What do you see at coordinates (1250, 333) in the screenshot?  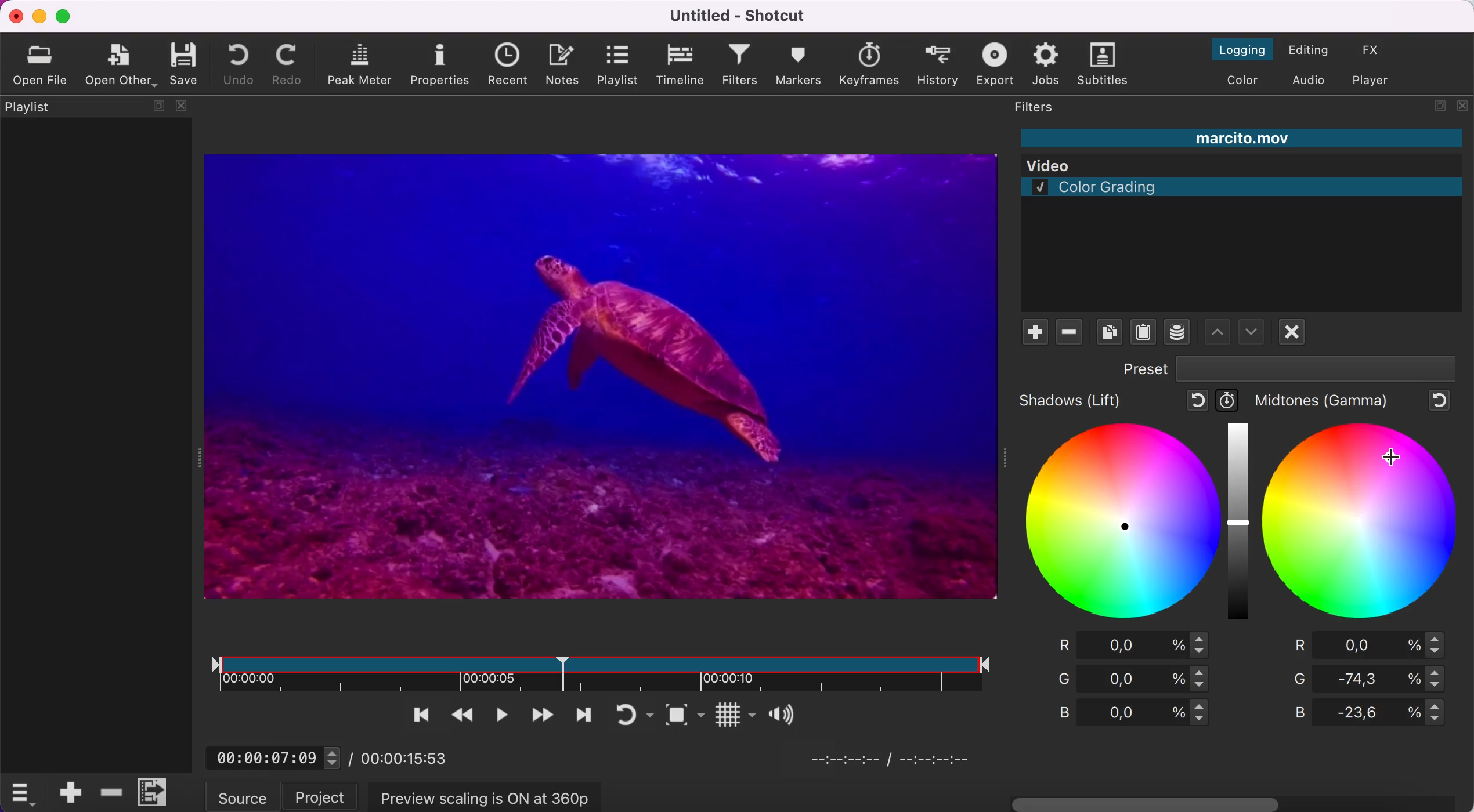 I see `move filter up` at bounding box center [1250, 333].